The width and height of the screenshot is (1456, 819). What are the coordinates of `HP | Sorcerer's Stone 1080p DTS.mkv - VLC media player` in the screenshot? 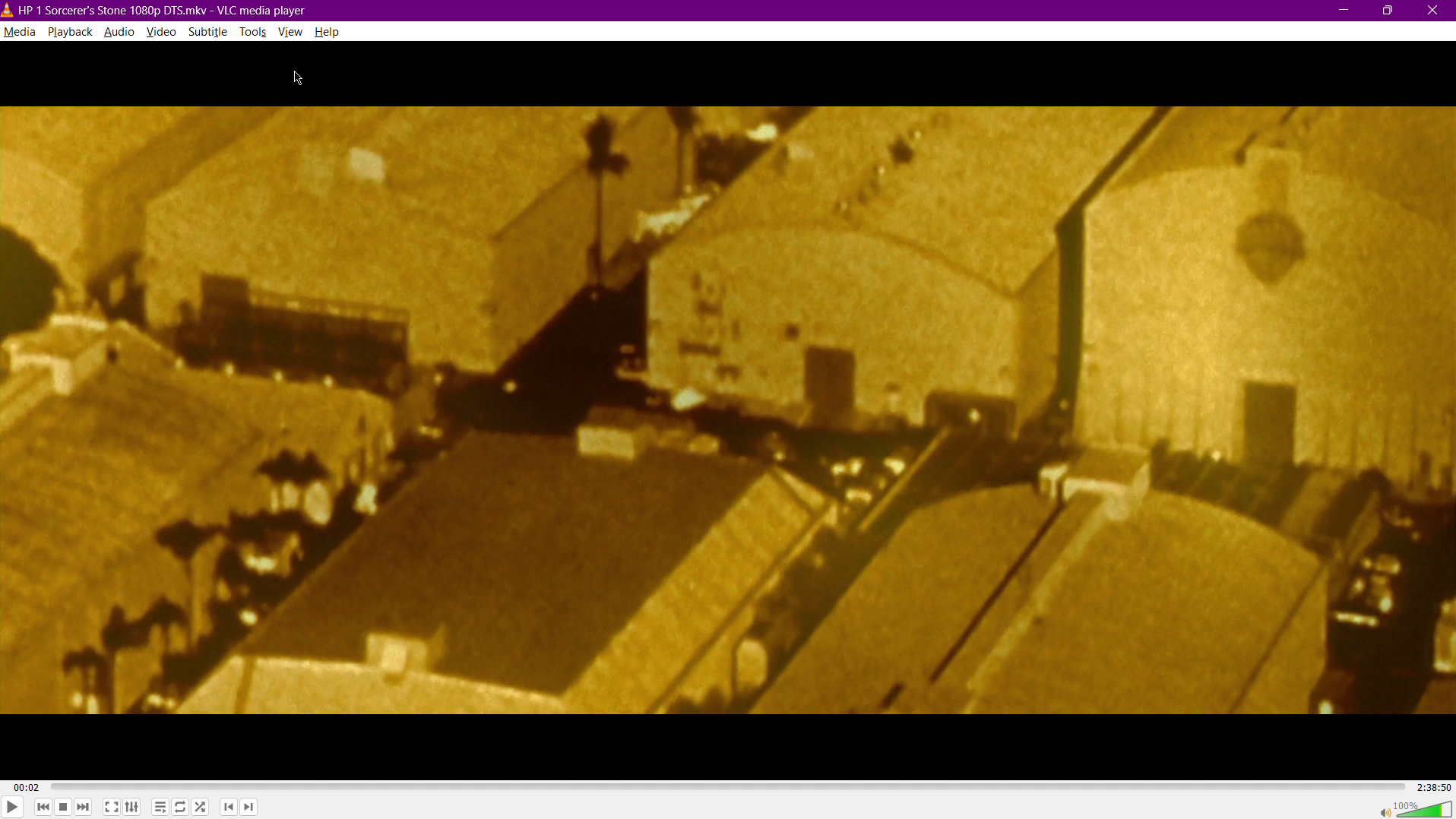 It's located at (155, 11).